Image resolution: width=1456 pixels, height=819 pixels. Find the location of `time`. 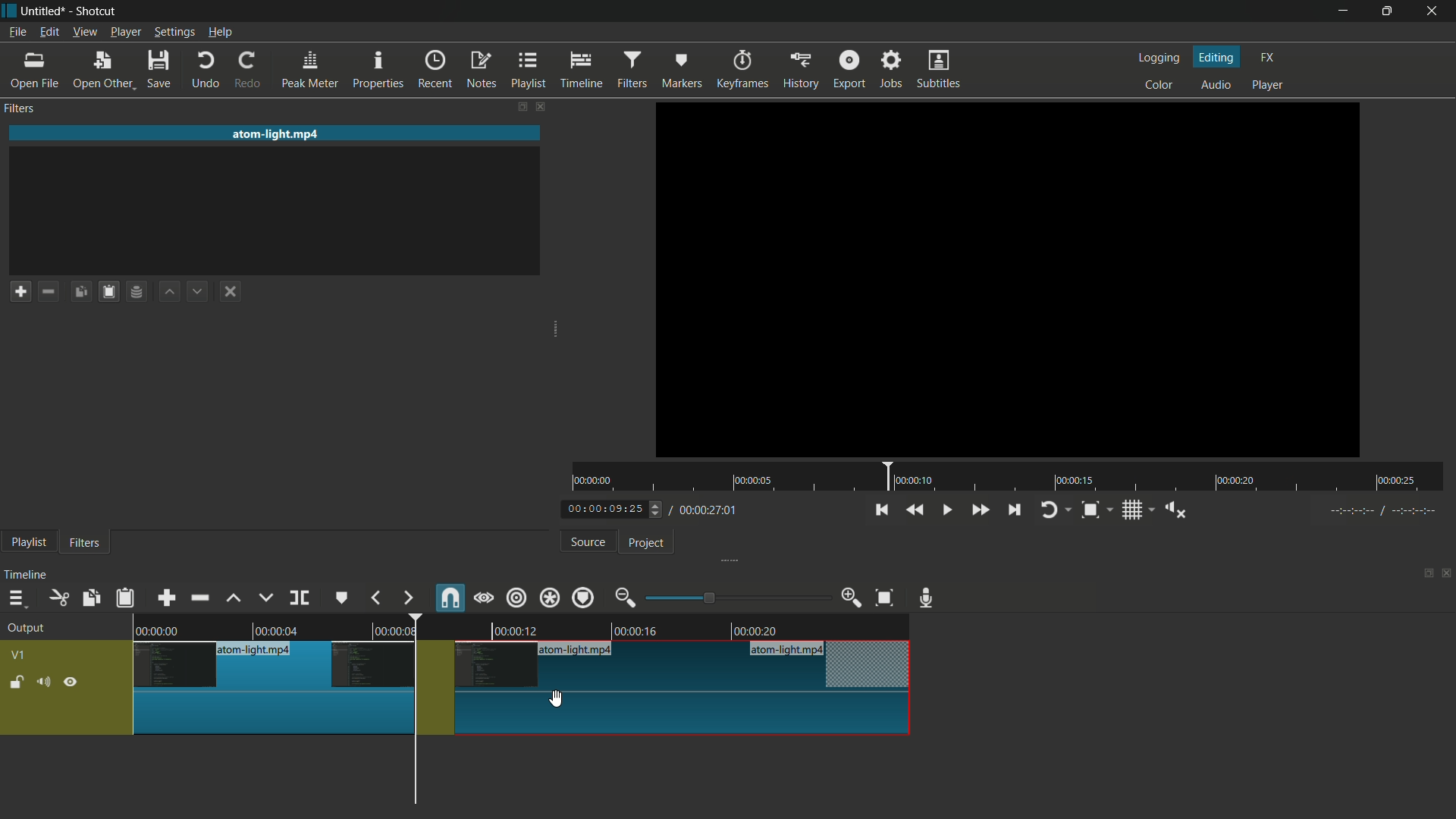

time is located at coordinates (1009, 477).